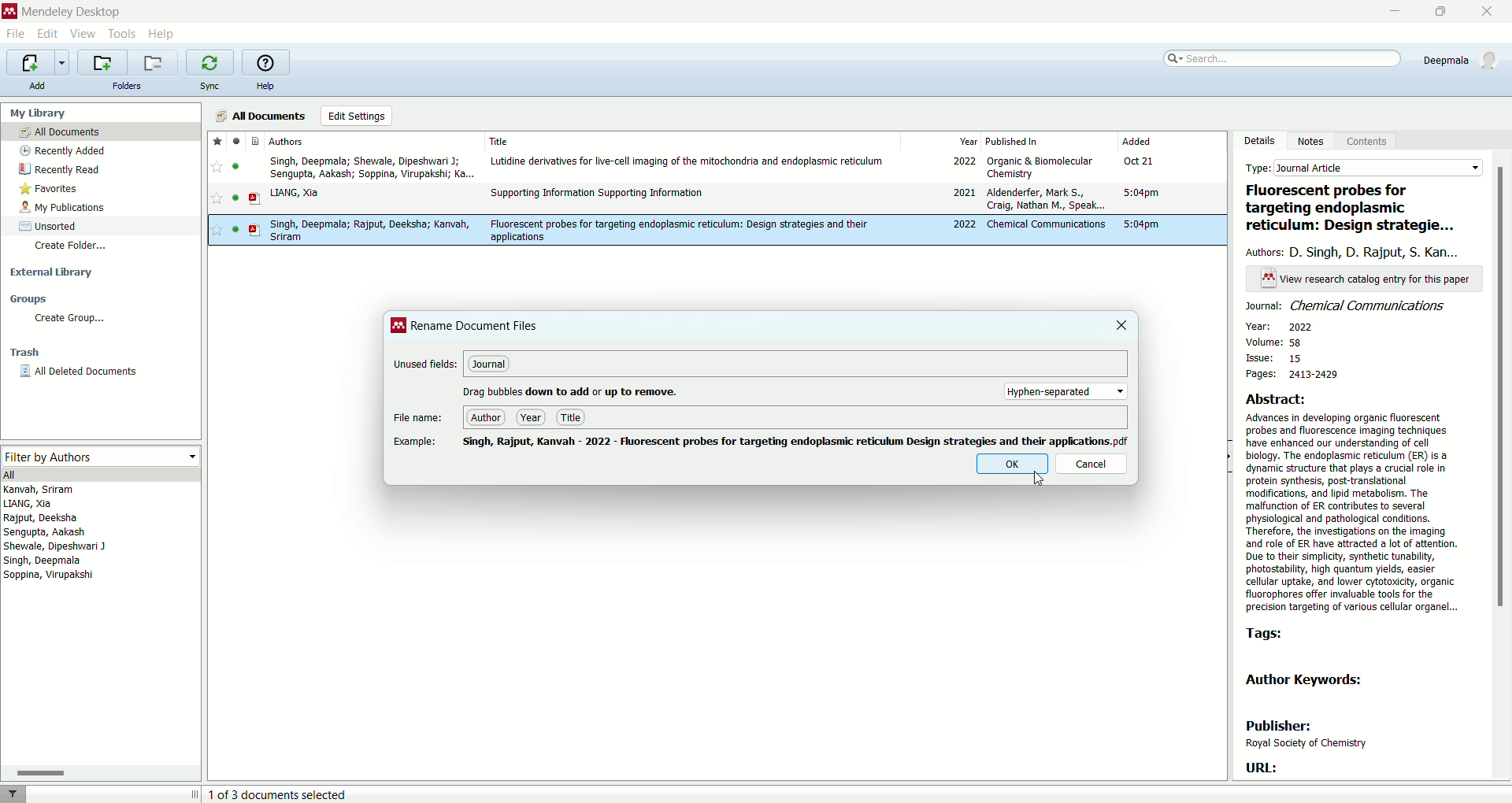  Describe the element at coordinates (306, 193) in the screenshot. I see `y LIANG, Xia` at that location.